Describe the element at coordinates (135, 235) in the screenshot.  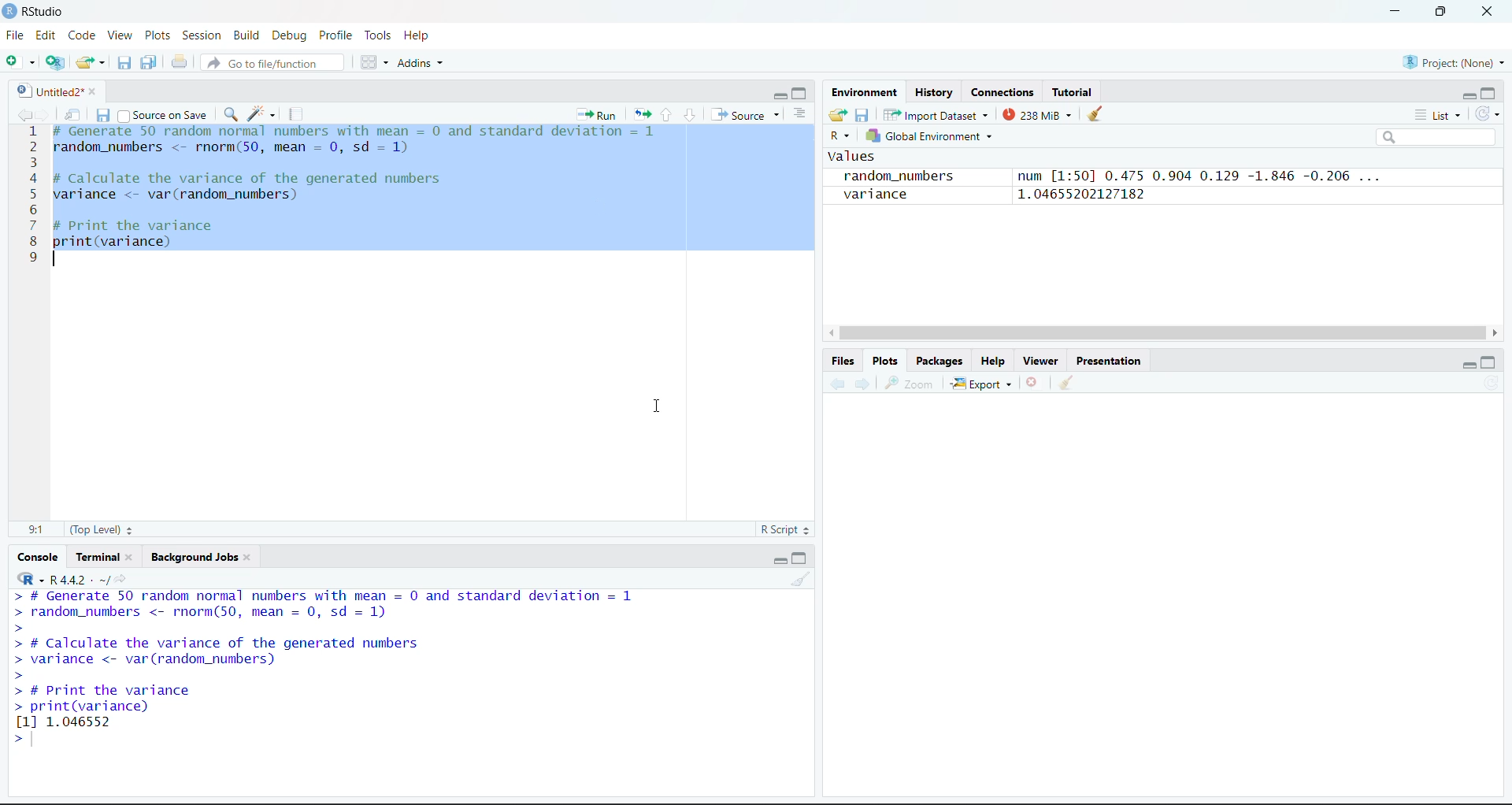
I see `# Print the variance
print(variance)` at that location.